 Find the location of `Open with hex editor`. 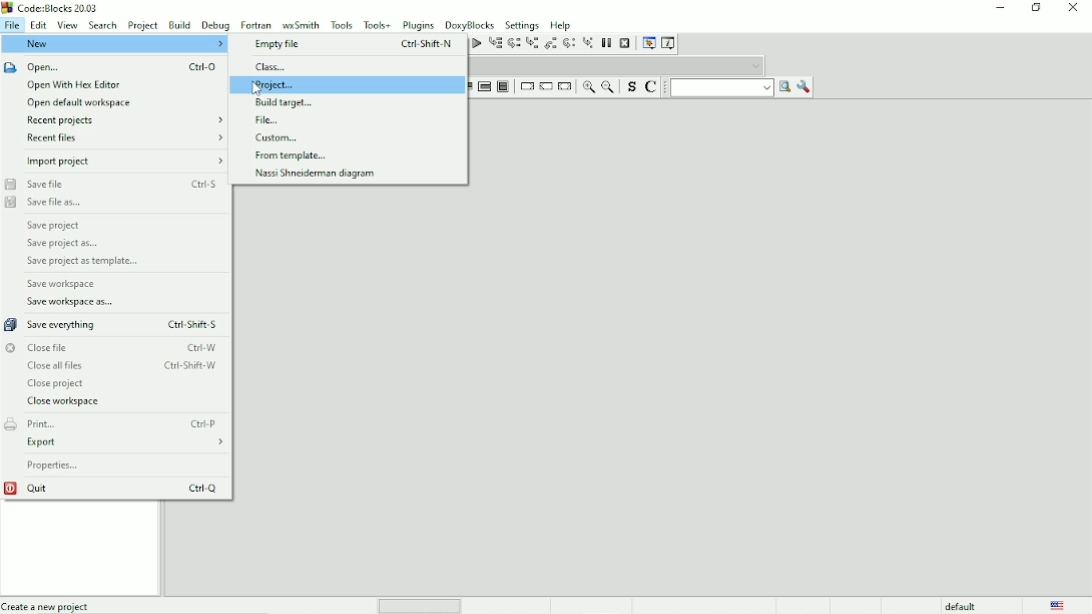

Open with hex editor is located at coordinates (74, 86).